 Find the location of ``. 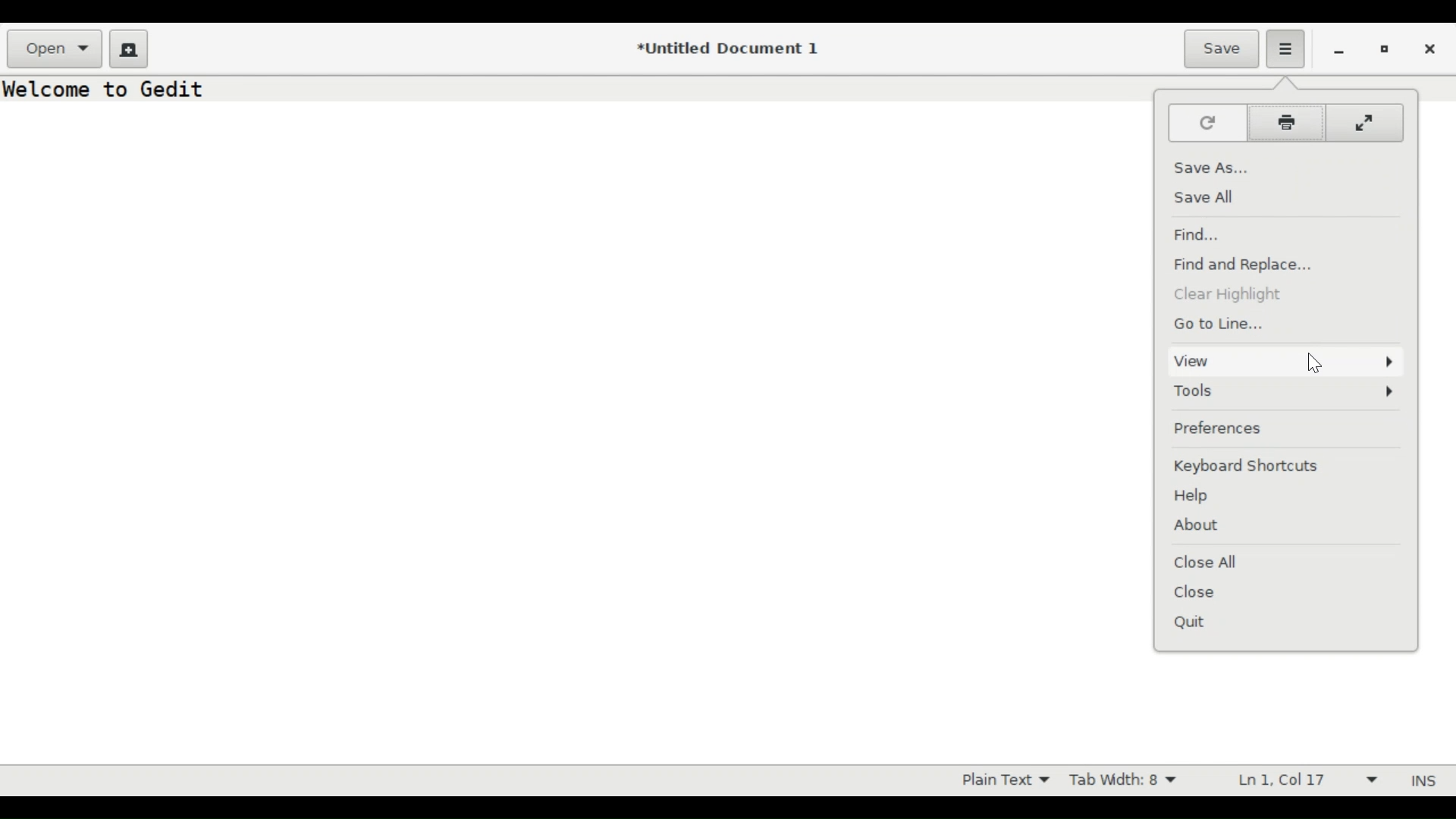

 is located at coordinates (2157, 66).